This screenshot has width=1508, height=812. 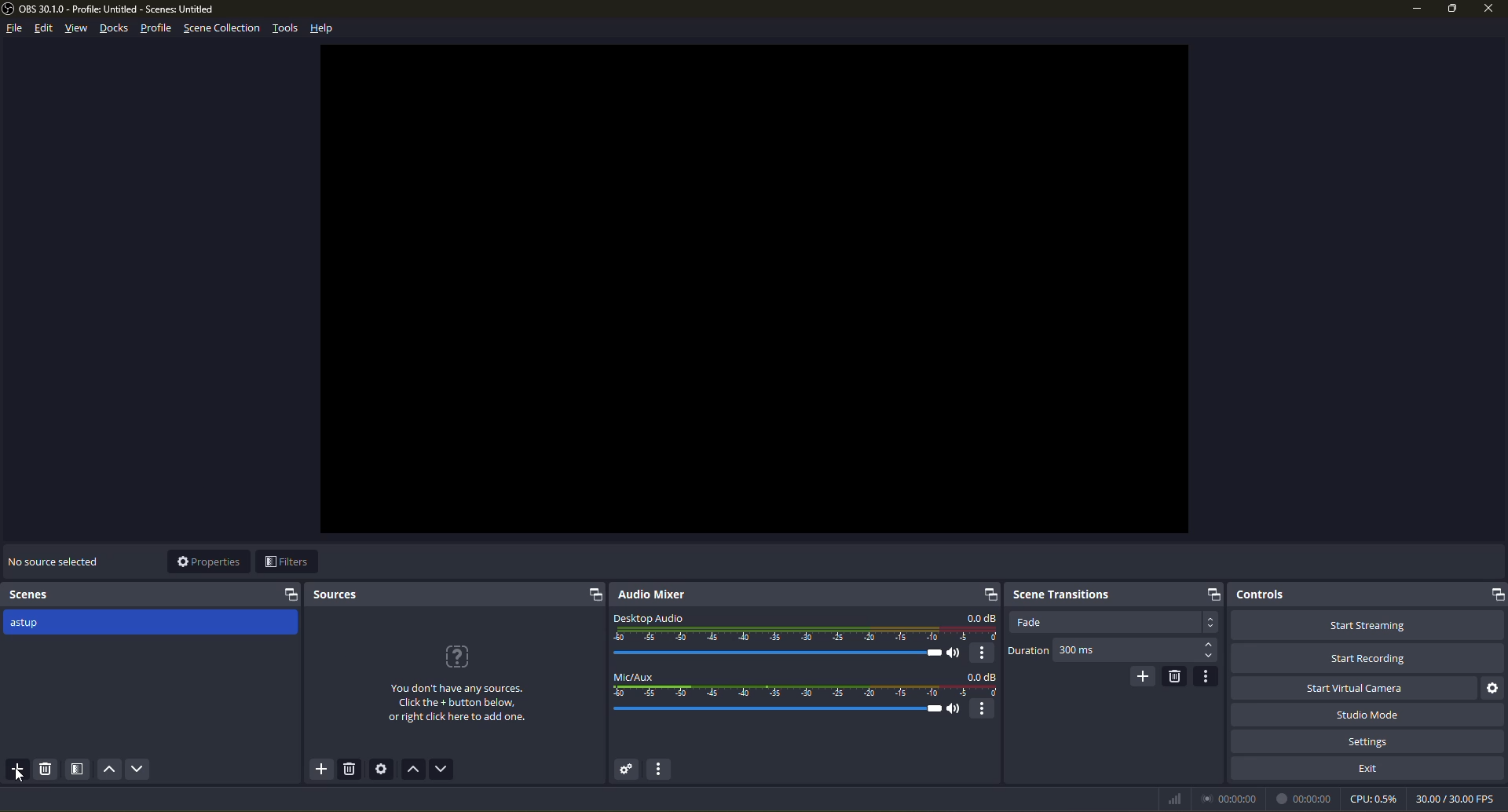 I want to click on audio mixer menu, so click(x=660, y=769).